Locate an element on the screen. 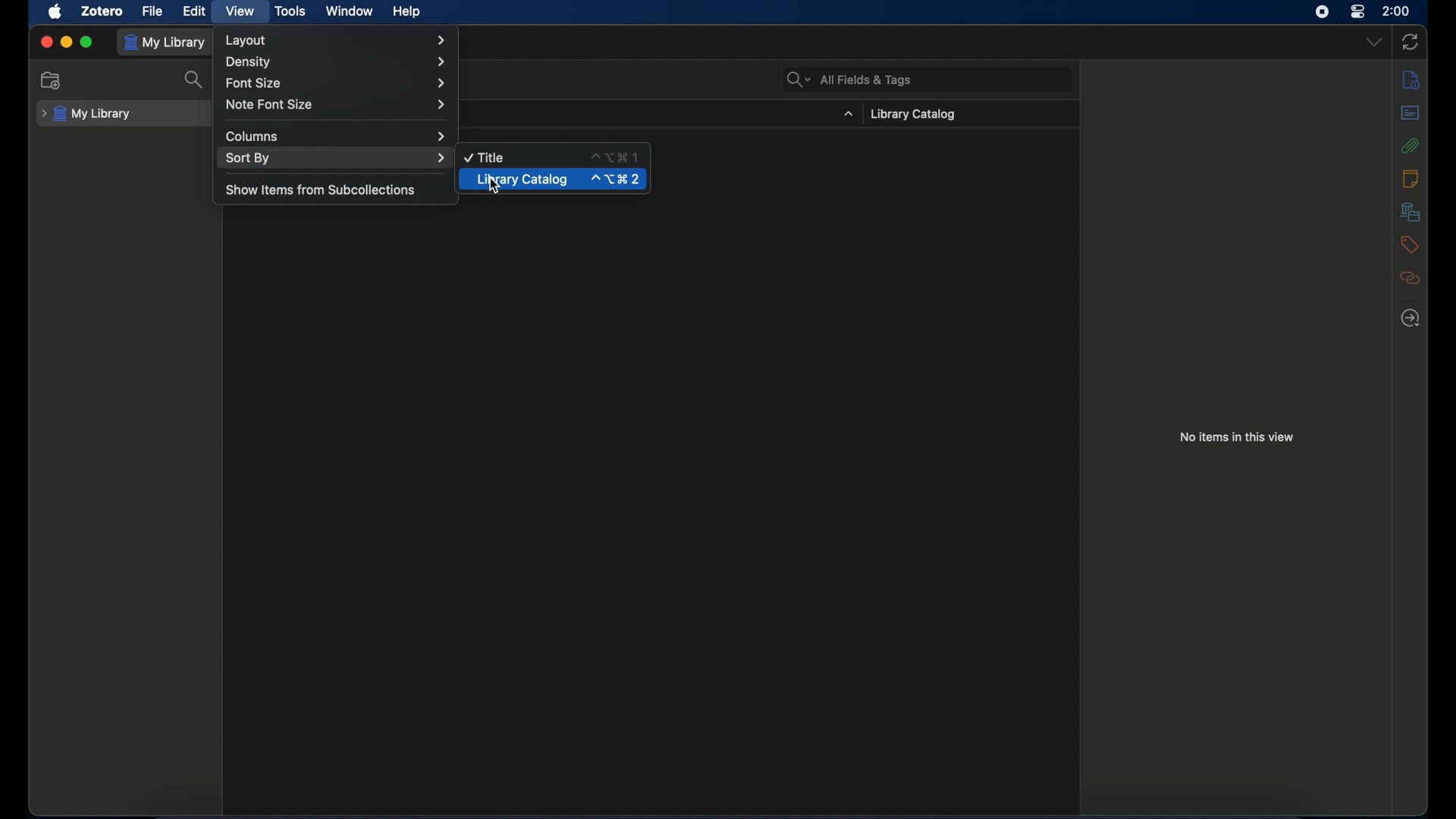  dropdown is located at coordinates (1374, 42).